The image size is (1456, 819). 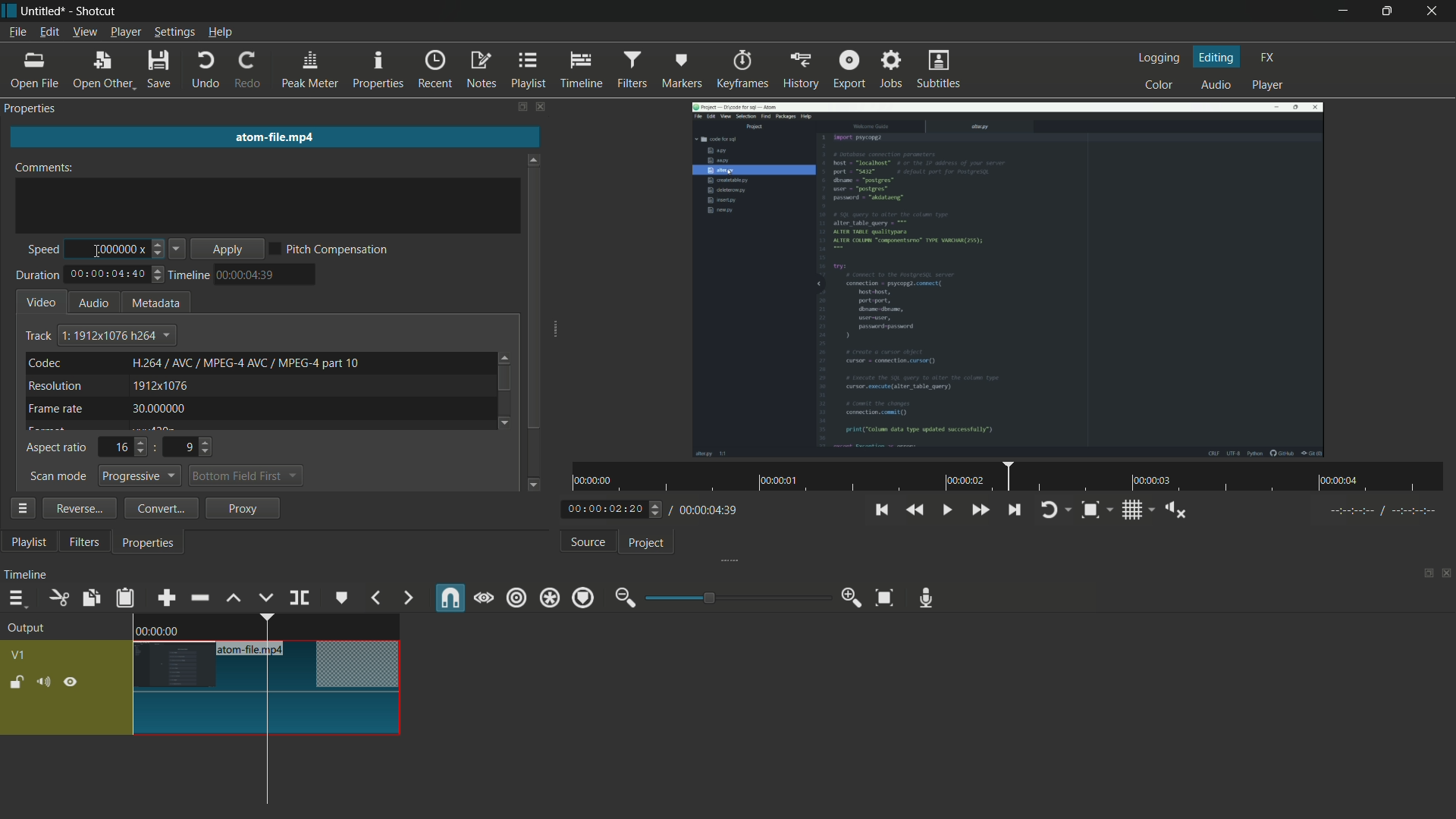 I want to click on output, so click(x=30, y=629).